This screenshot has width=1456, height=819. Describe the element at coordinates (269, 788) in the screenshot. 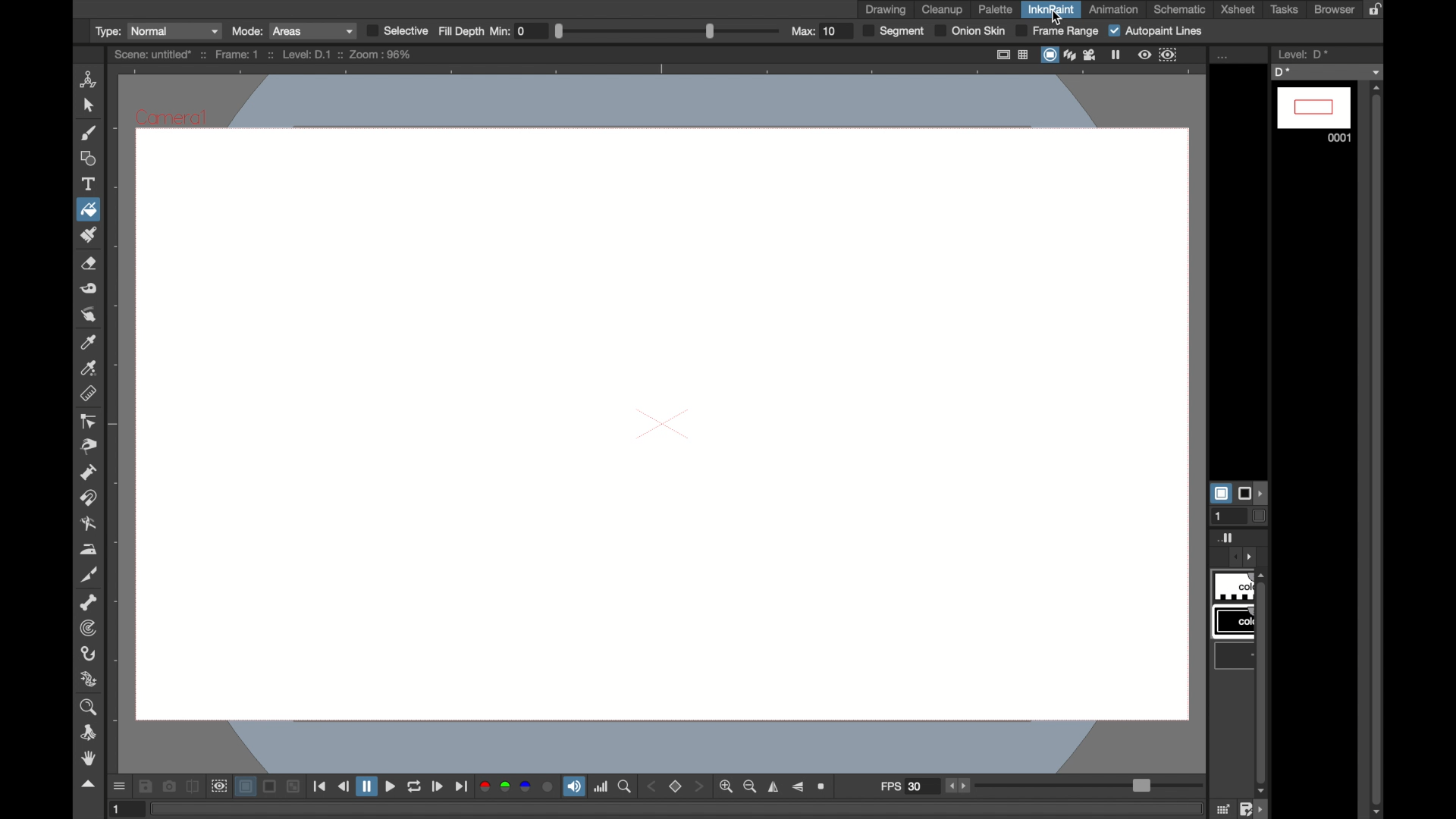

I see `screen` at that location.